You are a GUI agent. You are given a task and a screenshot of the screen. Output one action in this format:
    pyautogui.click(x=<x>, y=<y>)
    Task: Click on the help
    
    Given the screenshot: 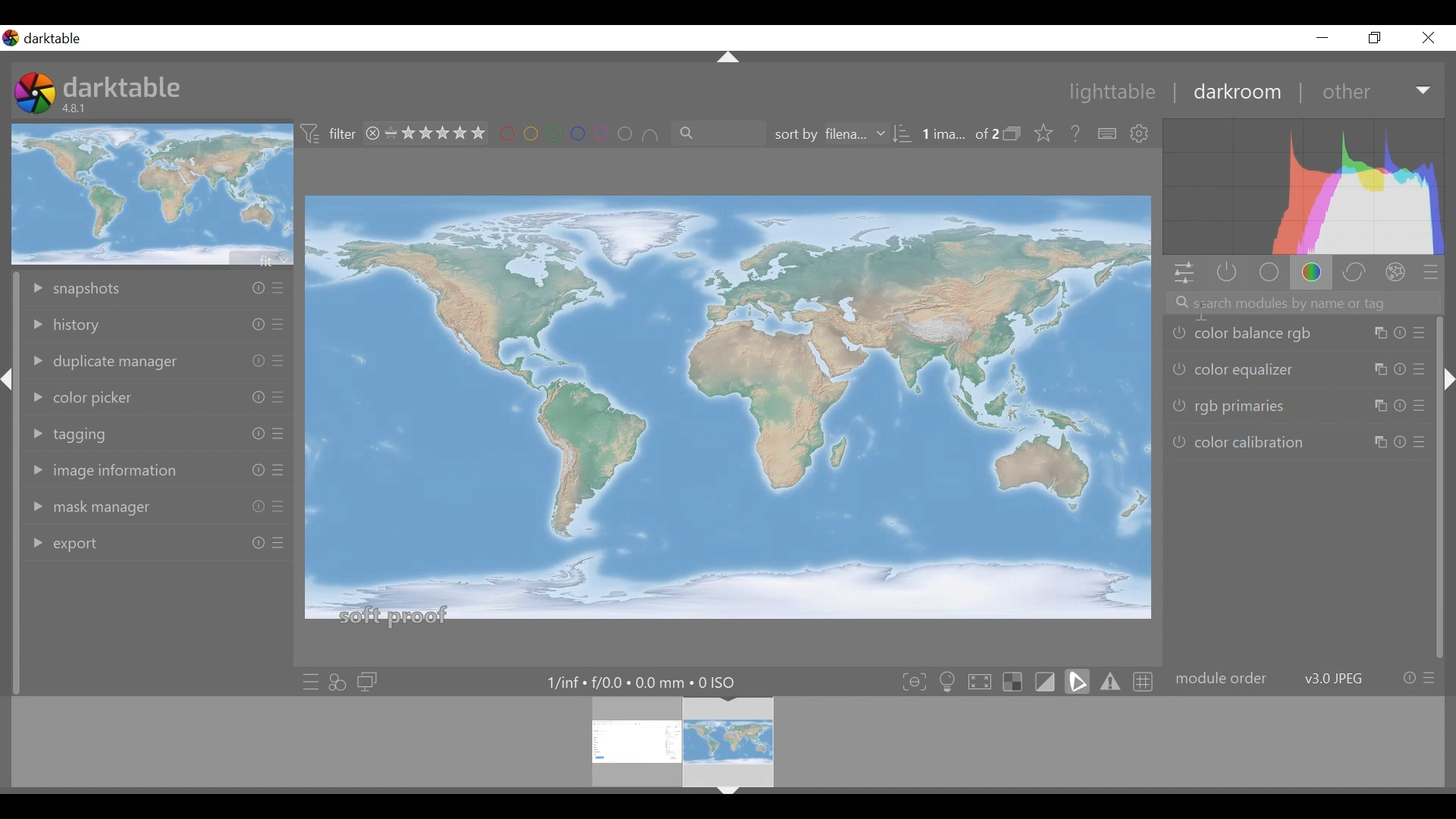 What is the action you would take?
    pyautogui.click(x=1077, y=134)
    